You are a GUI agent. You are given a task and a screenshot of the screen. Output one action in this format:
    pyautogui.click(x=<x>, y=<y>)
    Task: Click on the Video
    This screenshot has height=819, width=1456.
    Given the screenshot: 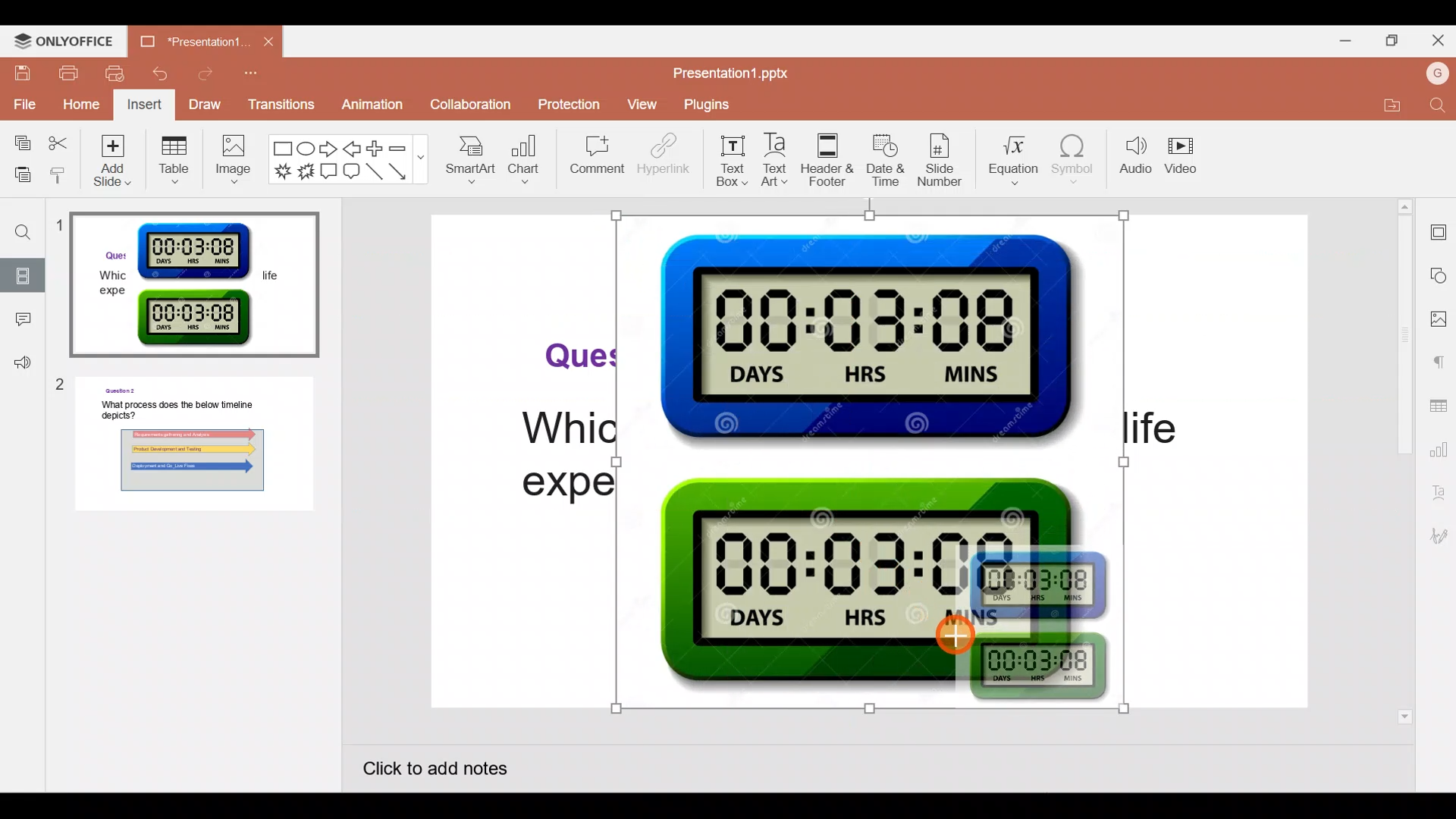 What is the action you would take?
    pyautogui.click(x=1187, y=152)
    